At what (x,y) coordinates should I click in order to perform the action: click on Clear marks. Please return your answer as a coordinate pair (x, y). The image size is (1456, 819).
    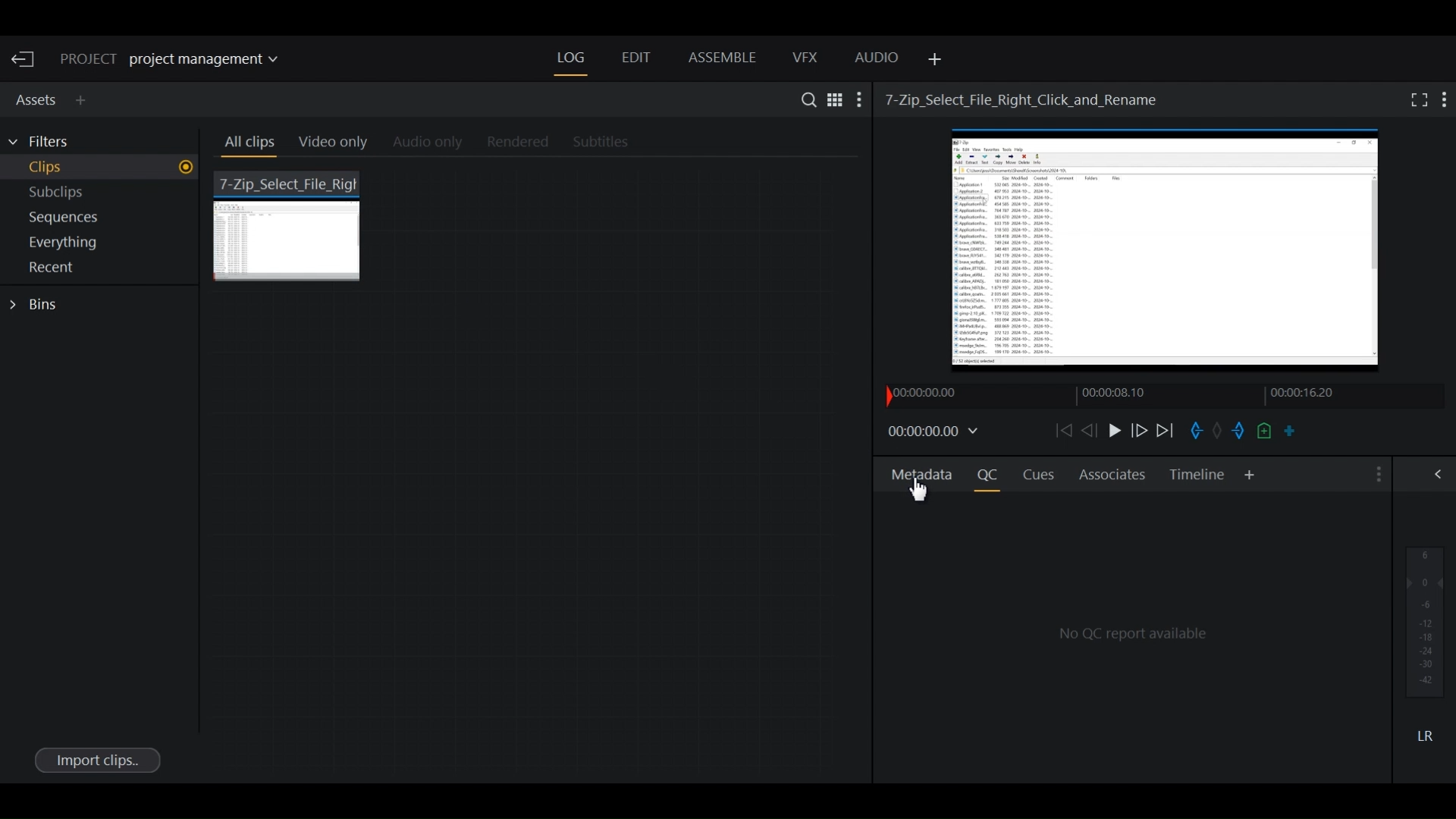
    Looking at the image, I should click on (1217, 432).